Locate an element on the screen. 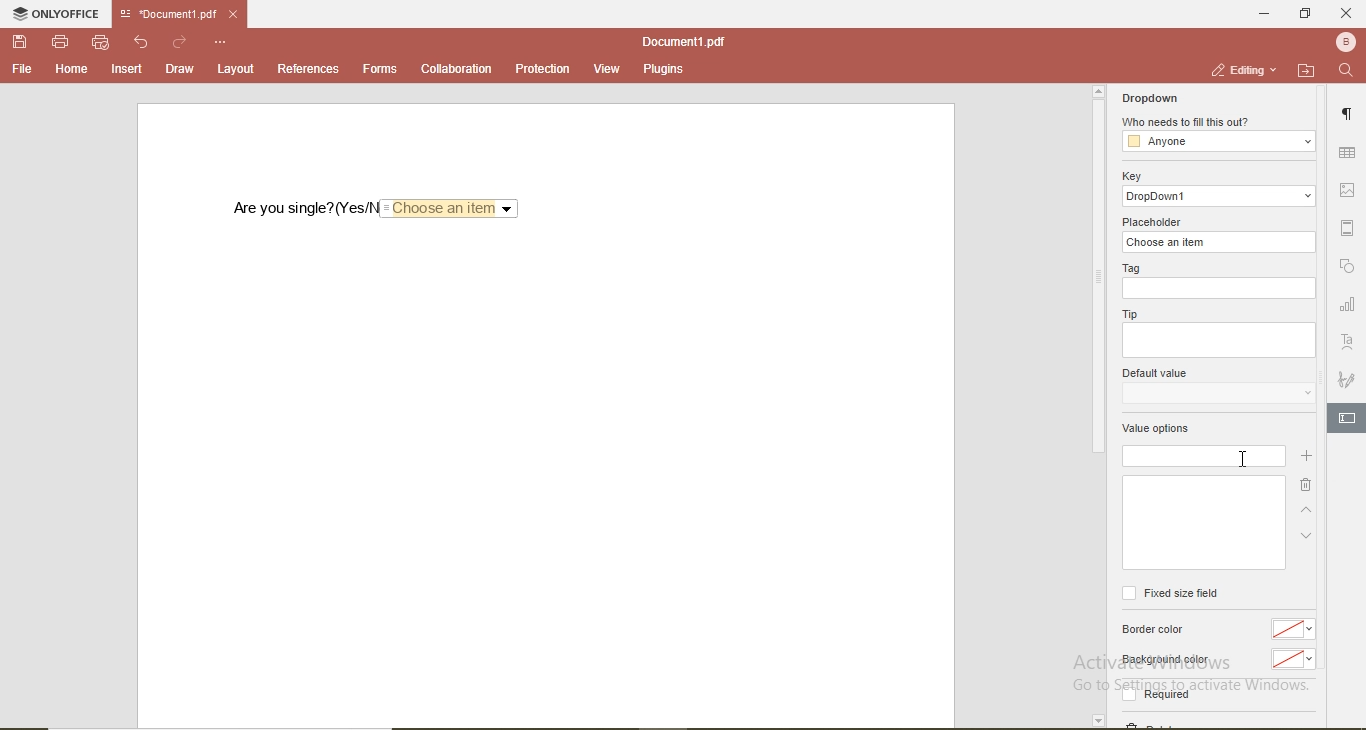 This screenshot has width=1366, height=730. references is located at coordinates (309, 68).